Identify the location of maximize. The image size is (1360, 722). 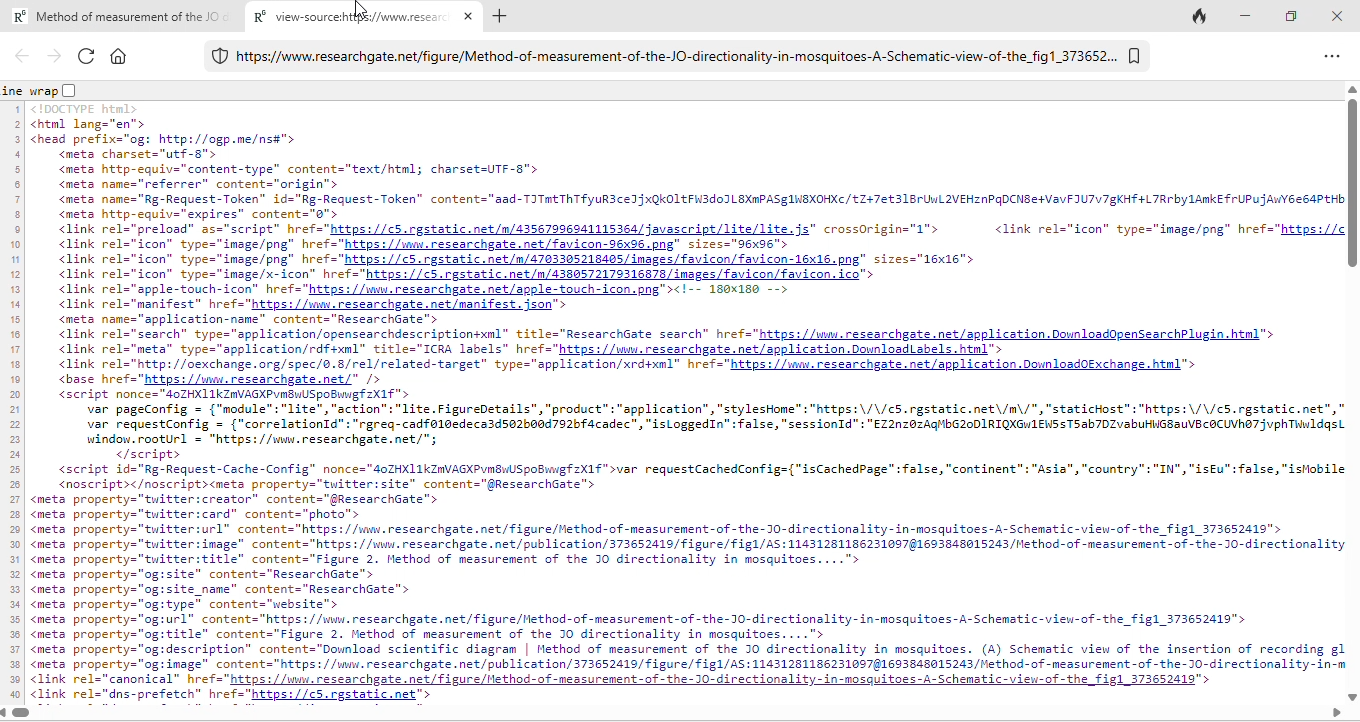
(1289, 14).